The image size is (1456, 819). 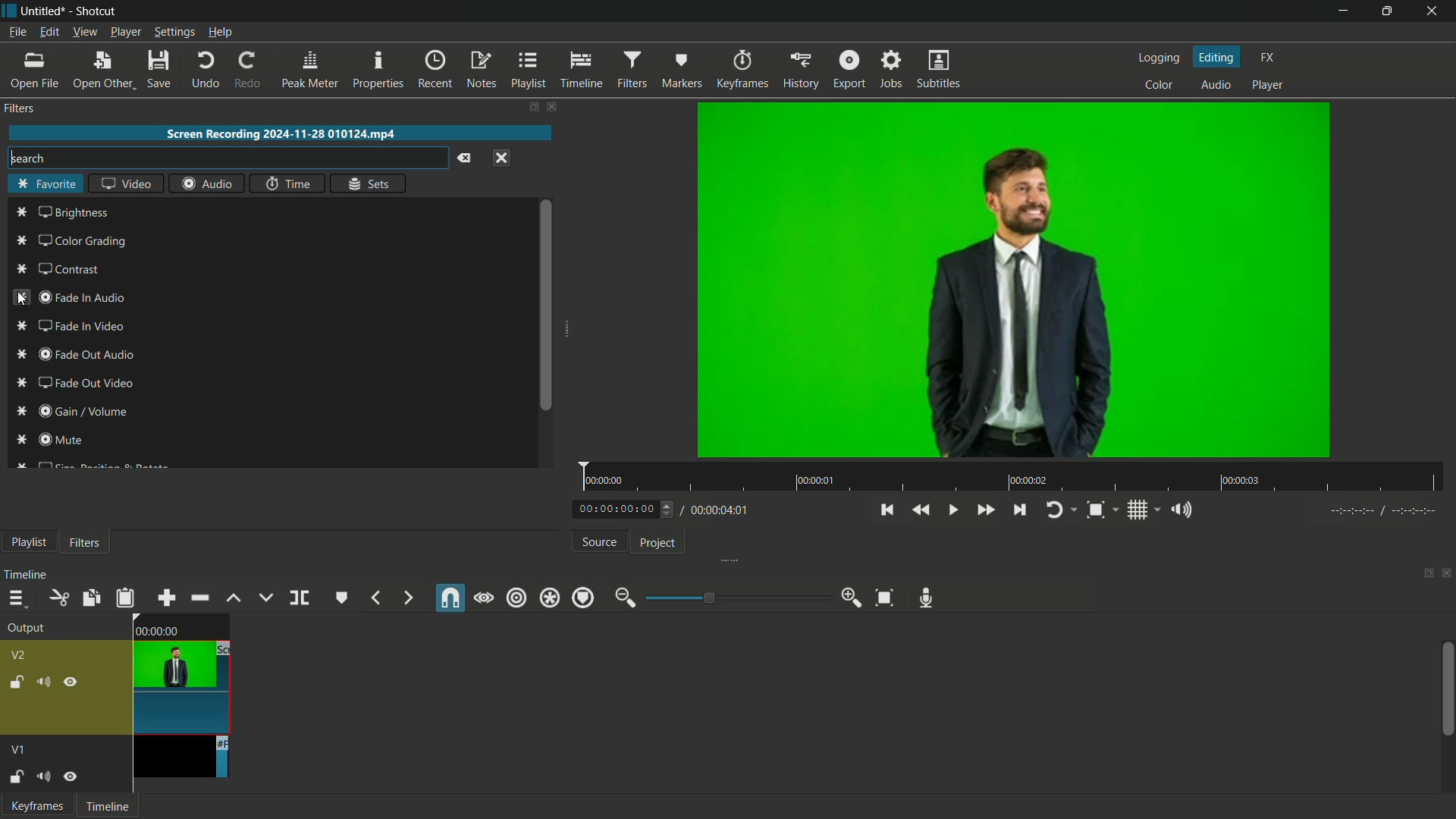 I want to click on split at playhead, so click(x=300, y=598).